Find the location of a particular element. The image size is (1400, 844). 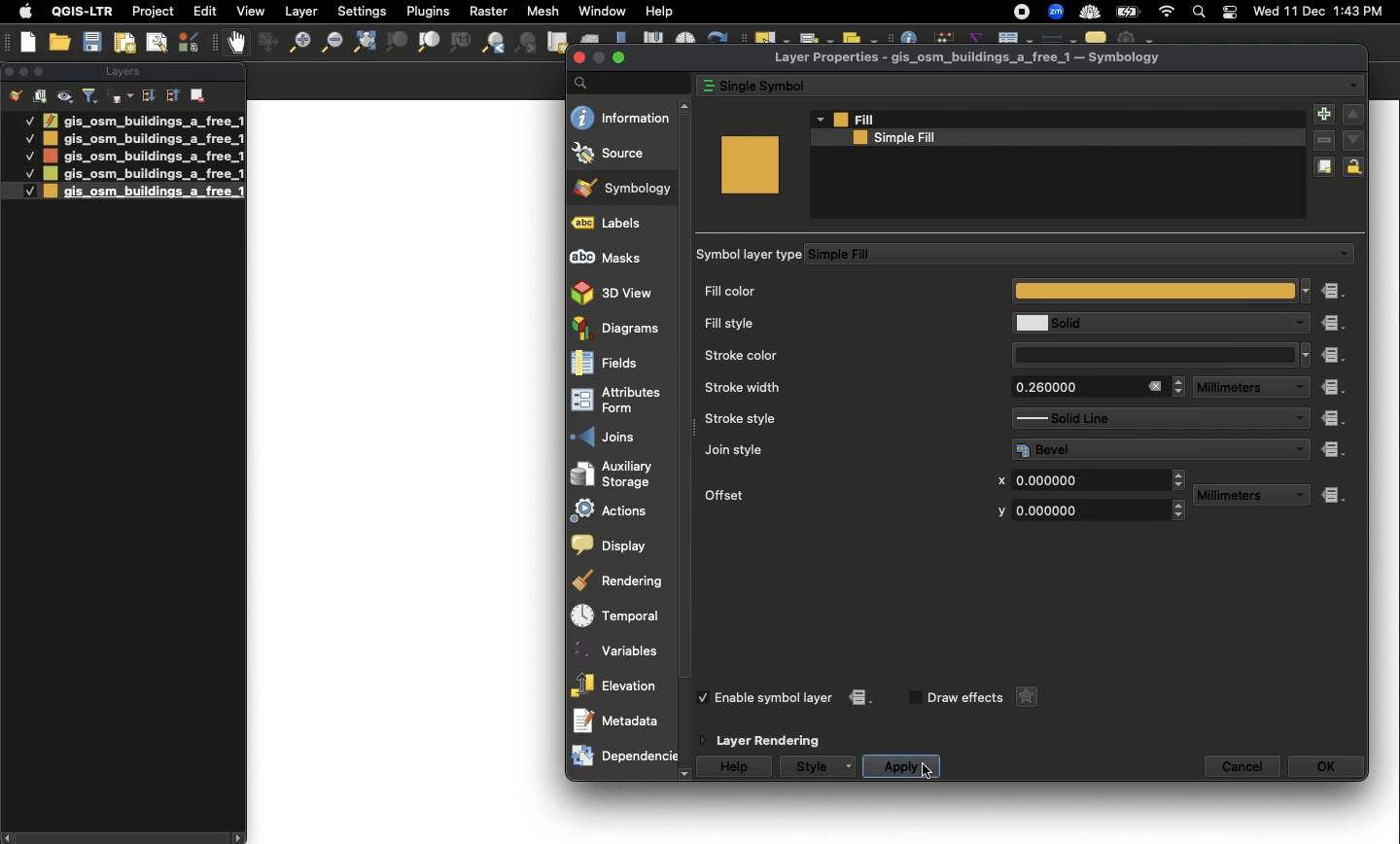

up is located at coordinates (687, 107).